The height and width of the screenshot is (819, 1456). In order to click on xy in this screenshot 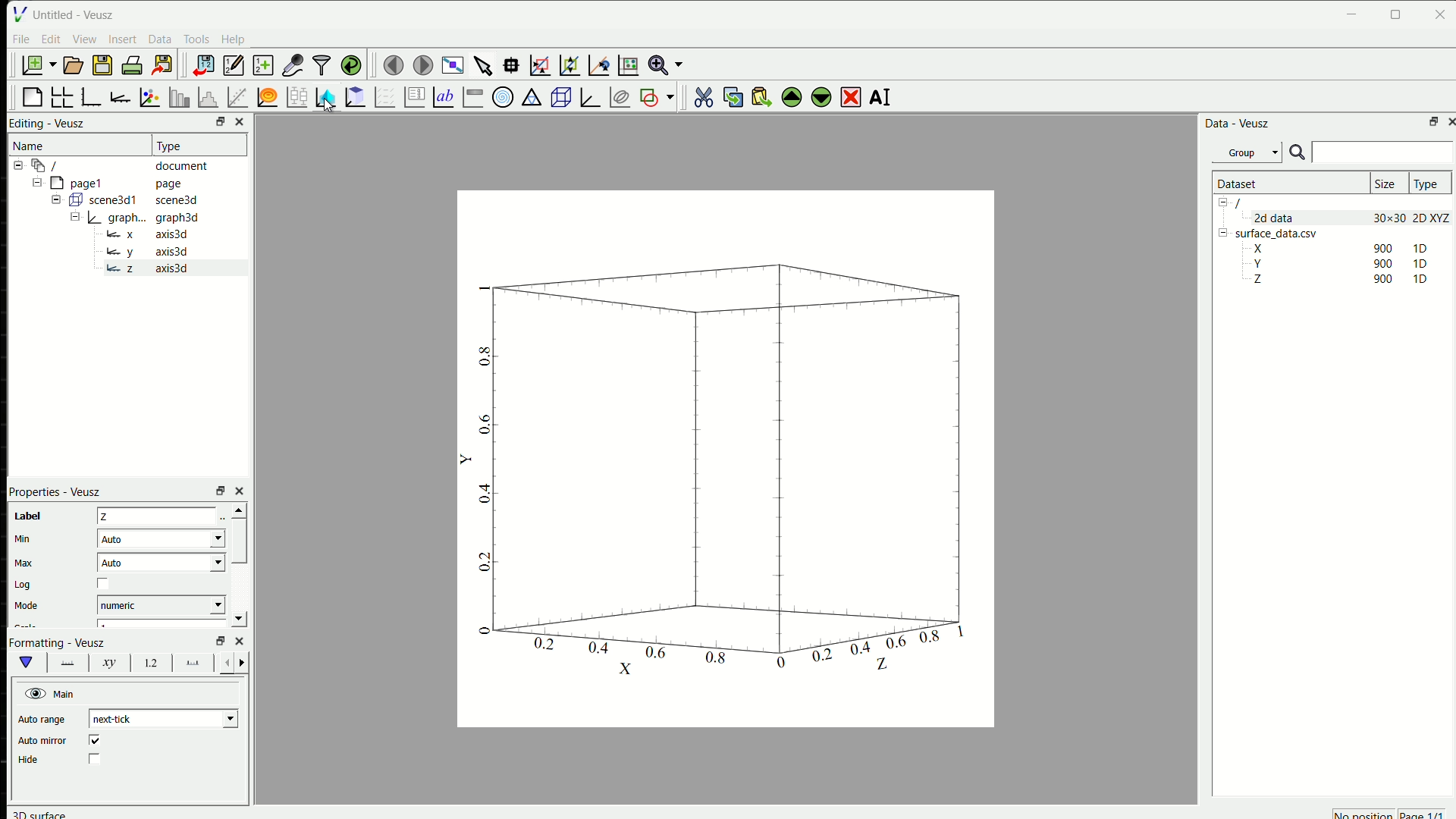, I will do `click(109, 663)`.